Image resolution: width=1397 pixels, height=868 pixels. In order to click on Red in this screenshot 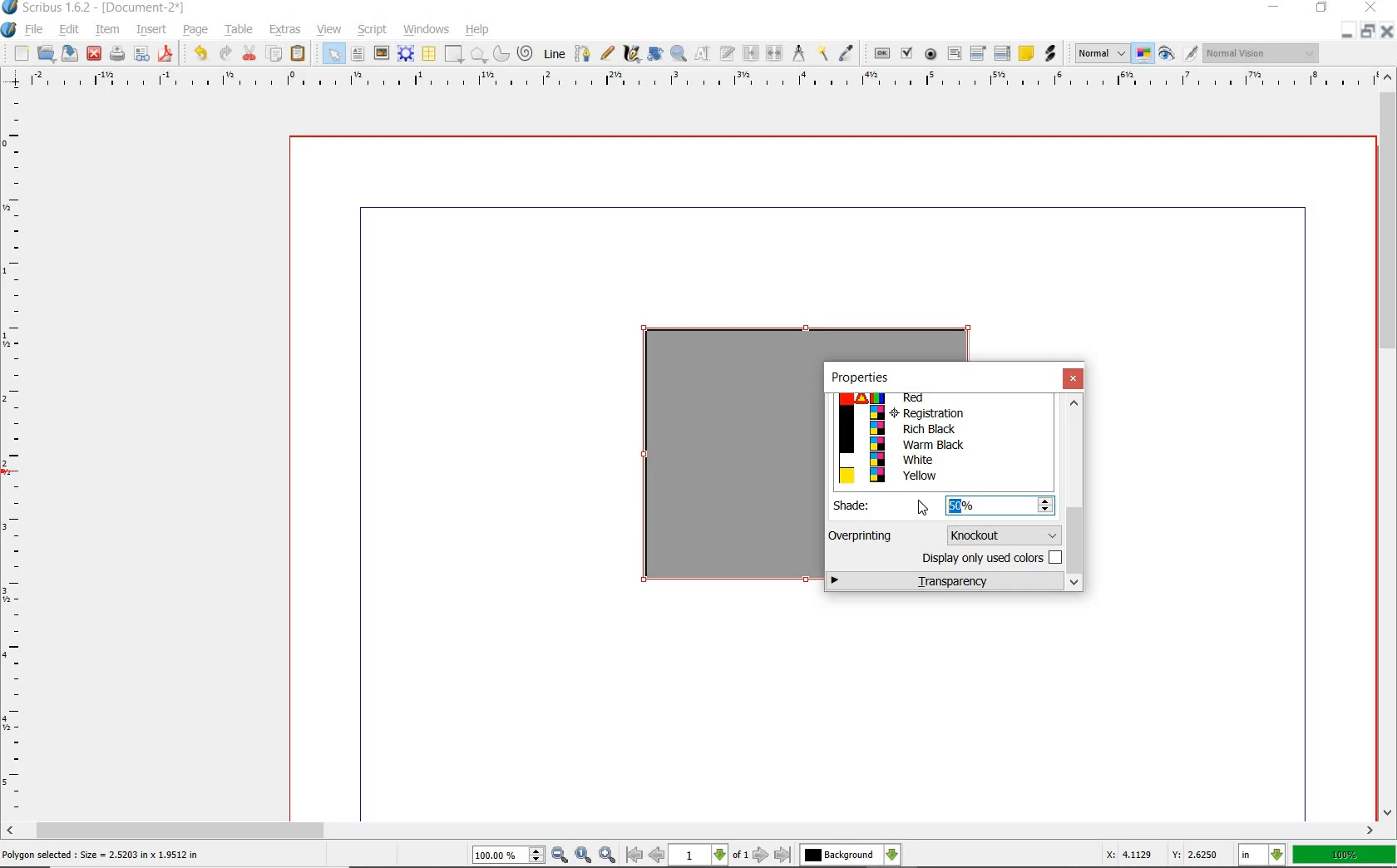, I will do `click(937, 399)`.